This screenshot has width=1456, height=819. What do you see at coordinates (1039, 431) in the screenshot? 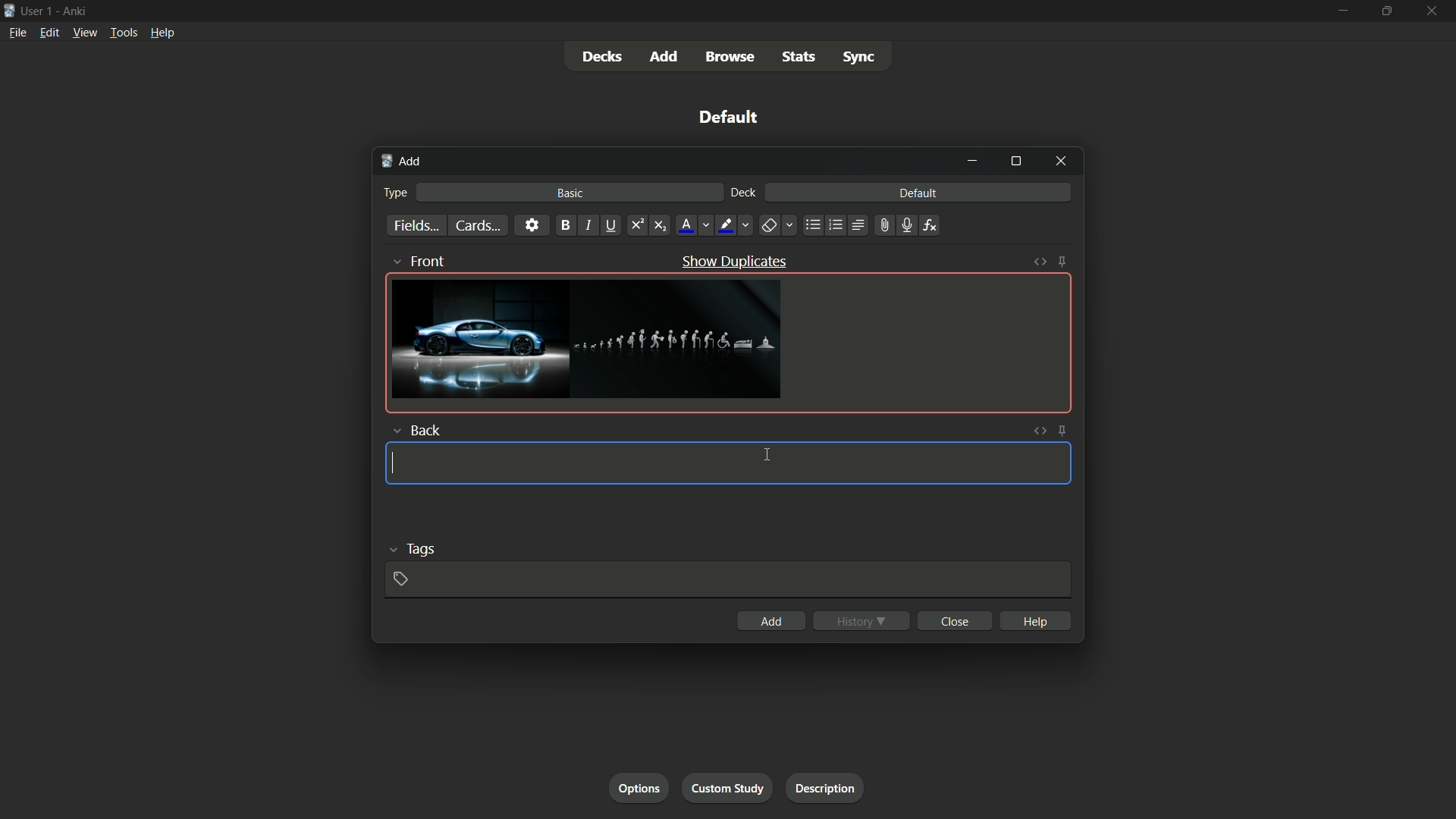
I see `toggle html editor` at bounding box center [1039, 431].